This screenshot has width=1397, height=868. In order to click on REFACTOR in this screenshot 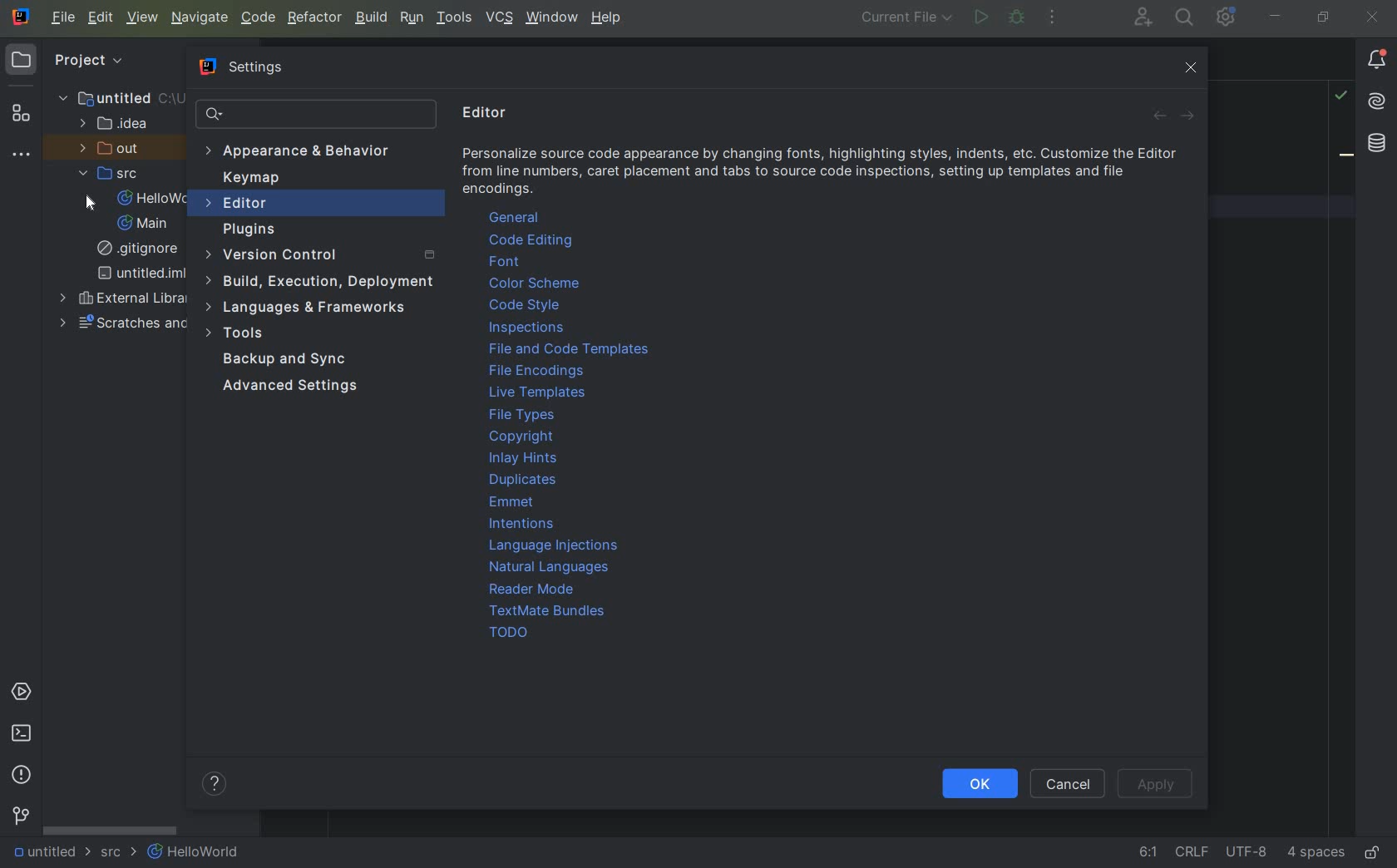, I will do `click(316, 18)`.